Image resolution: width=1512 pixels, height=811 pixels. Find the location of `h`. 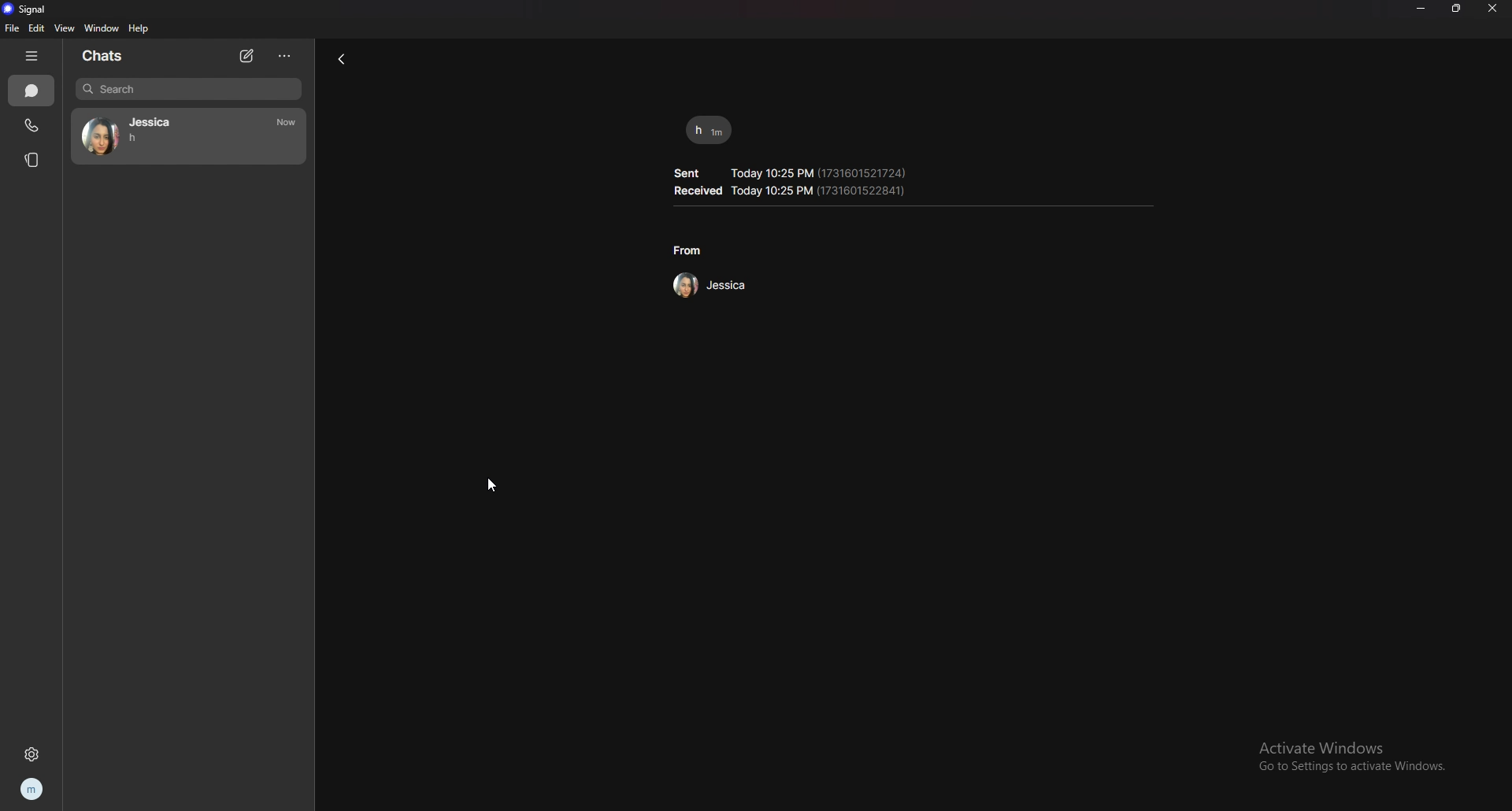

h is located at coordinates (710, 130).